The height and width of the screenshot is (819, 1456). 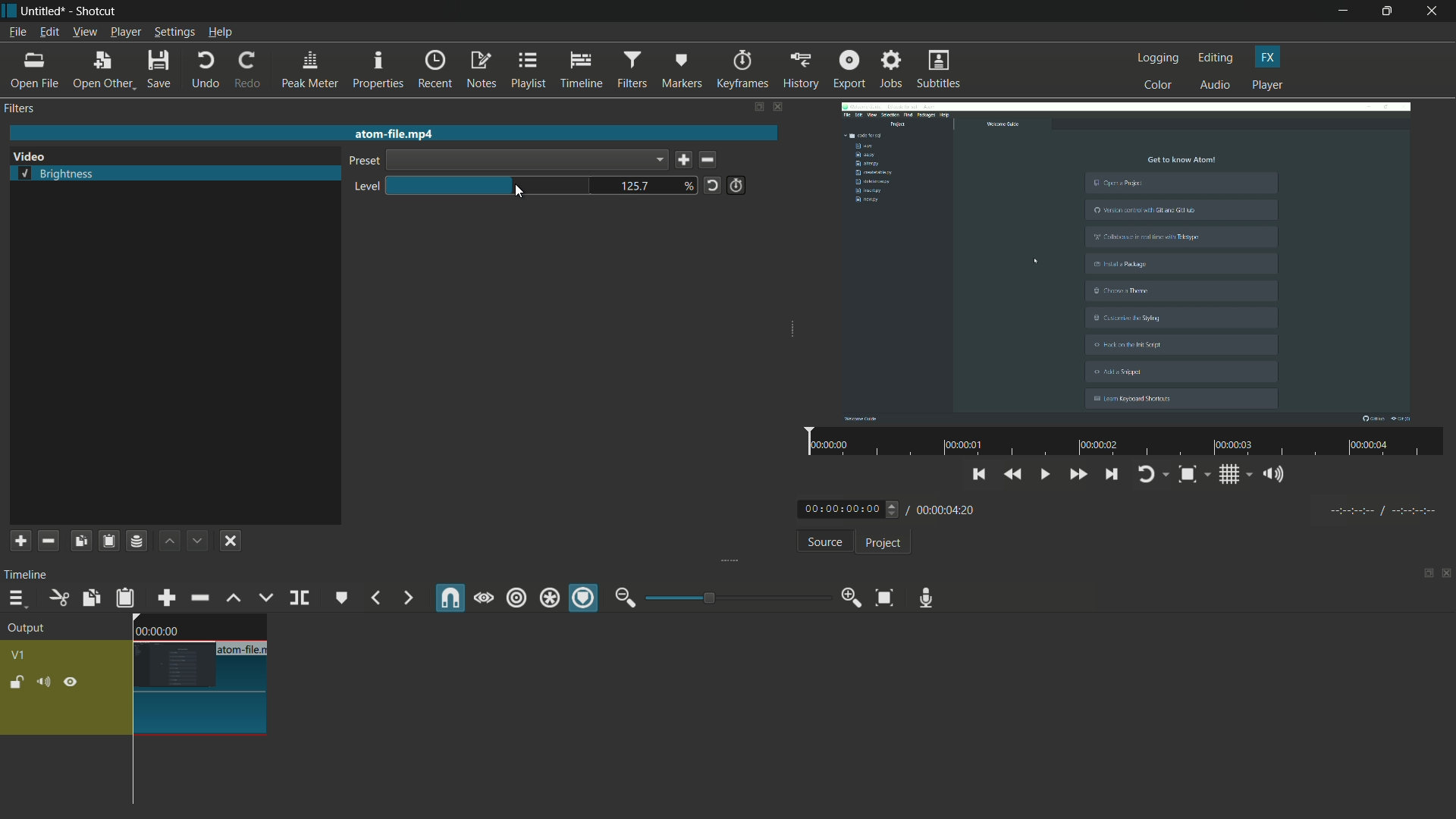 What do you see at coordinates (943, 507) in the screenshot?
I see `/ 00:00:04:20 (total time)` at bounding box center [943, 507].